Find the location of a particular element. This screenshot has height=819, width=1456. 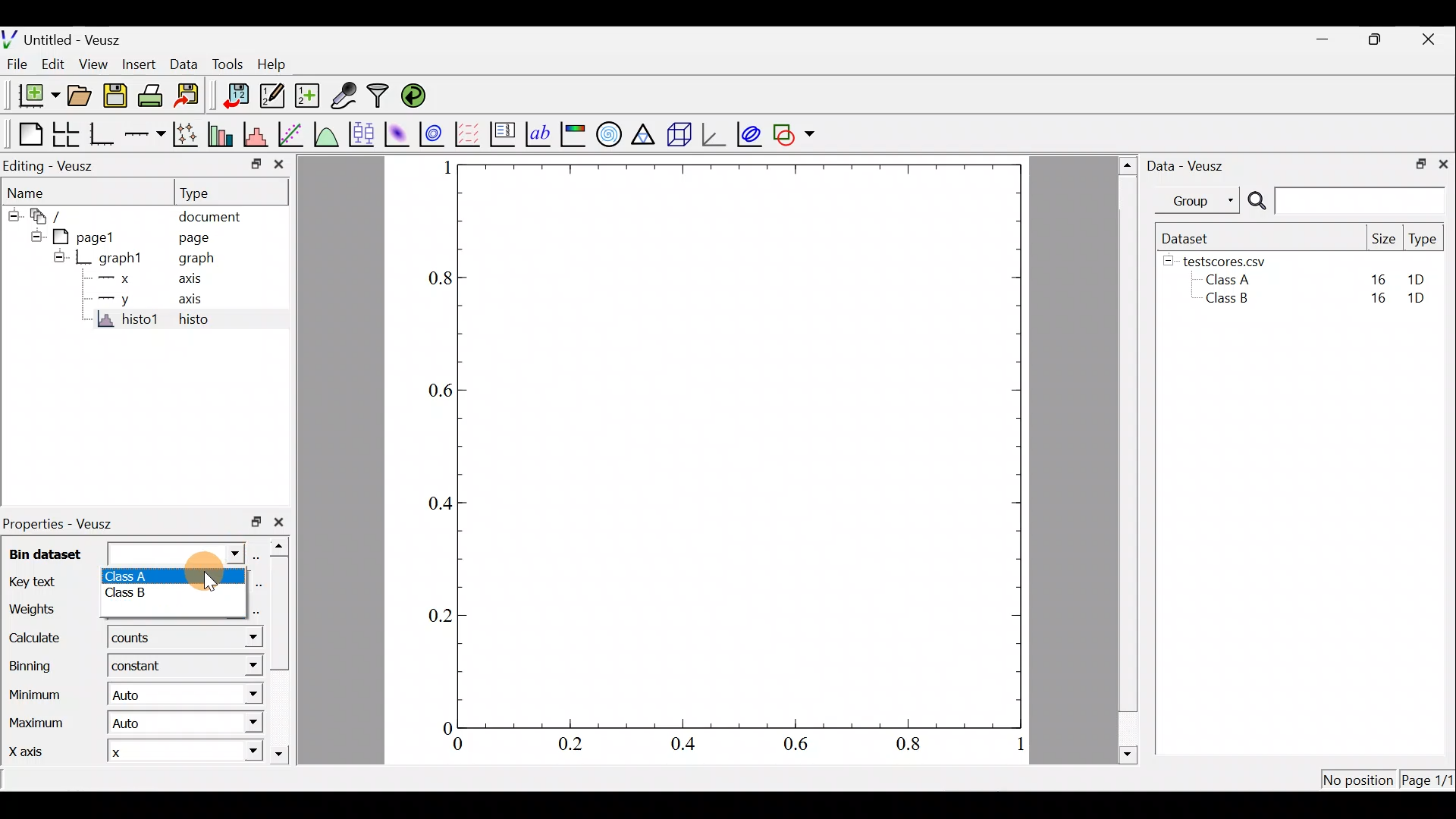

restore down is located at coordinates (252, 522).